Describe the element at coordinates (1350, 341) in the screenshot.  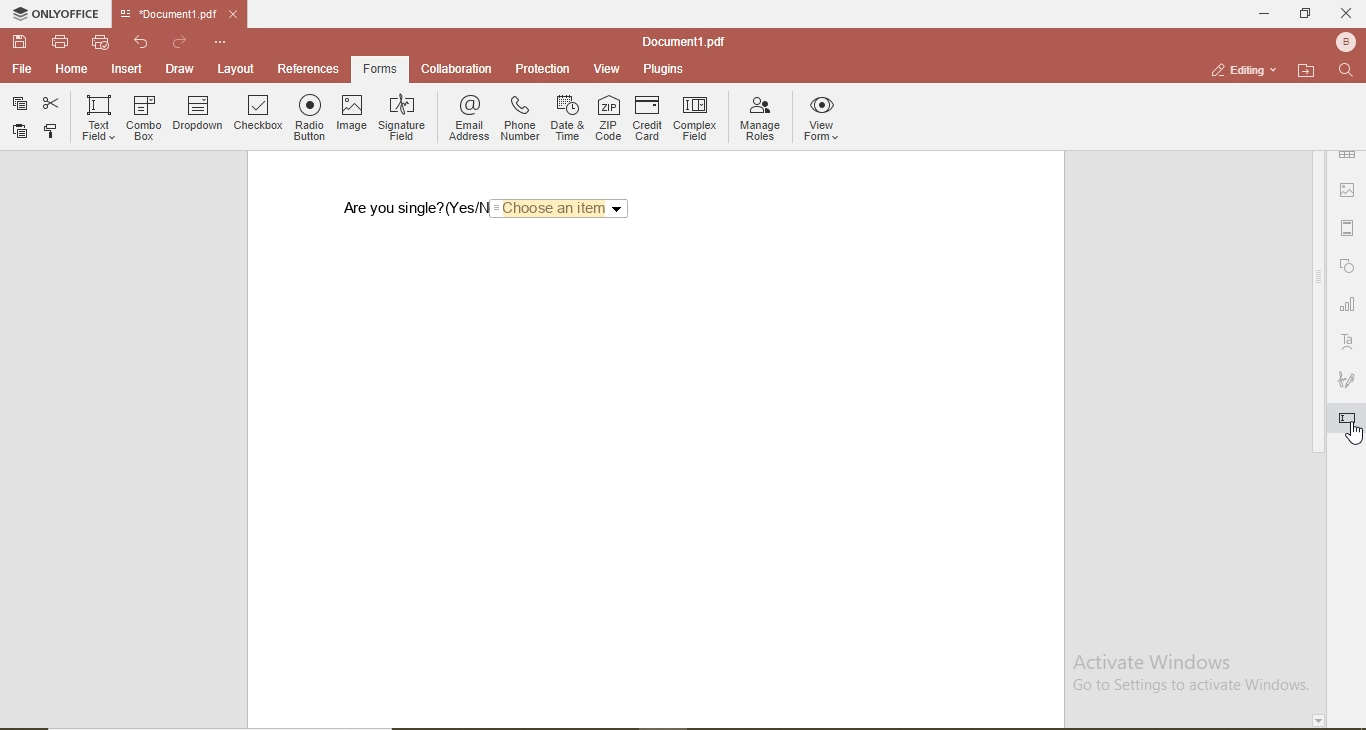
I see `font style` at that location.